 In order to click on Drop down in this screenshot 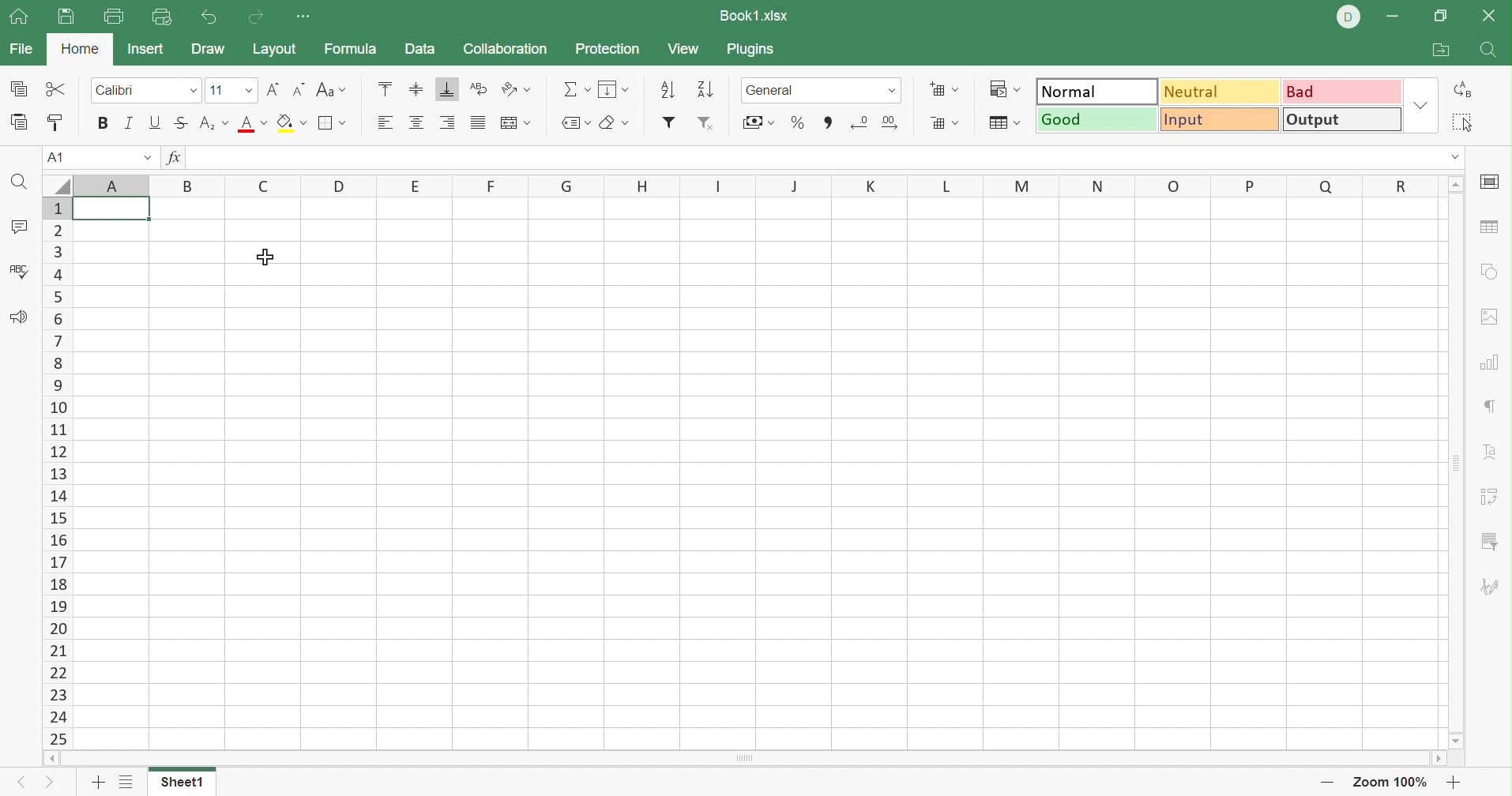, I will do `click(894, 91)`.